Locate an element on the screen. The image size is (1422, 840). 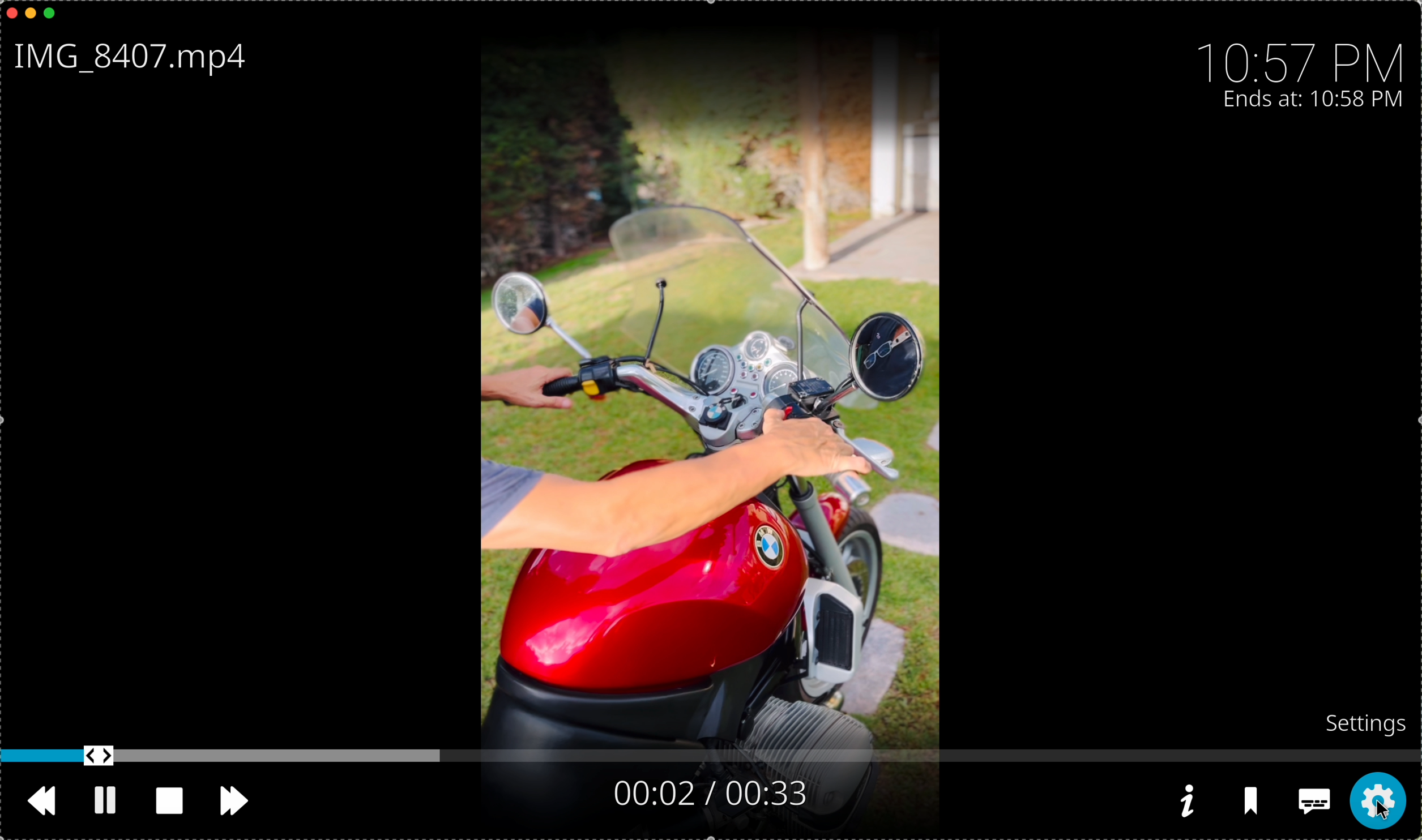
10:57 PM is located at coordinates (1305, 55).